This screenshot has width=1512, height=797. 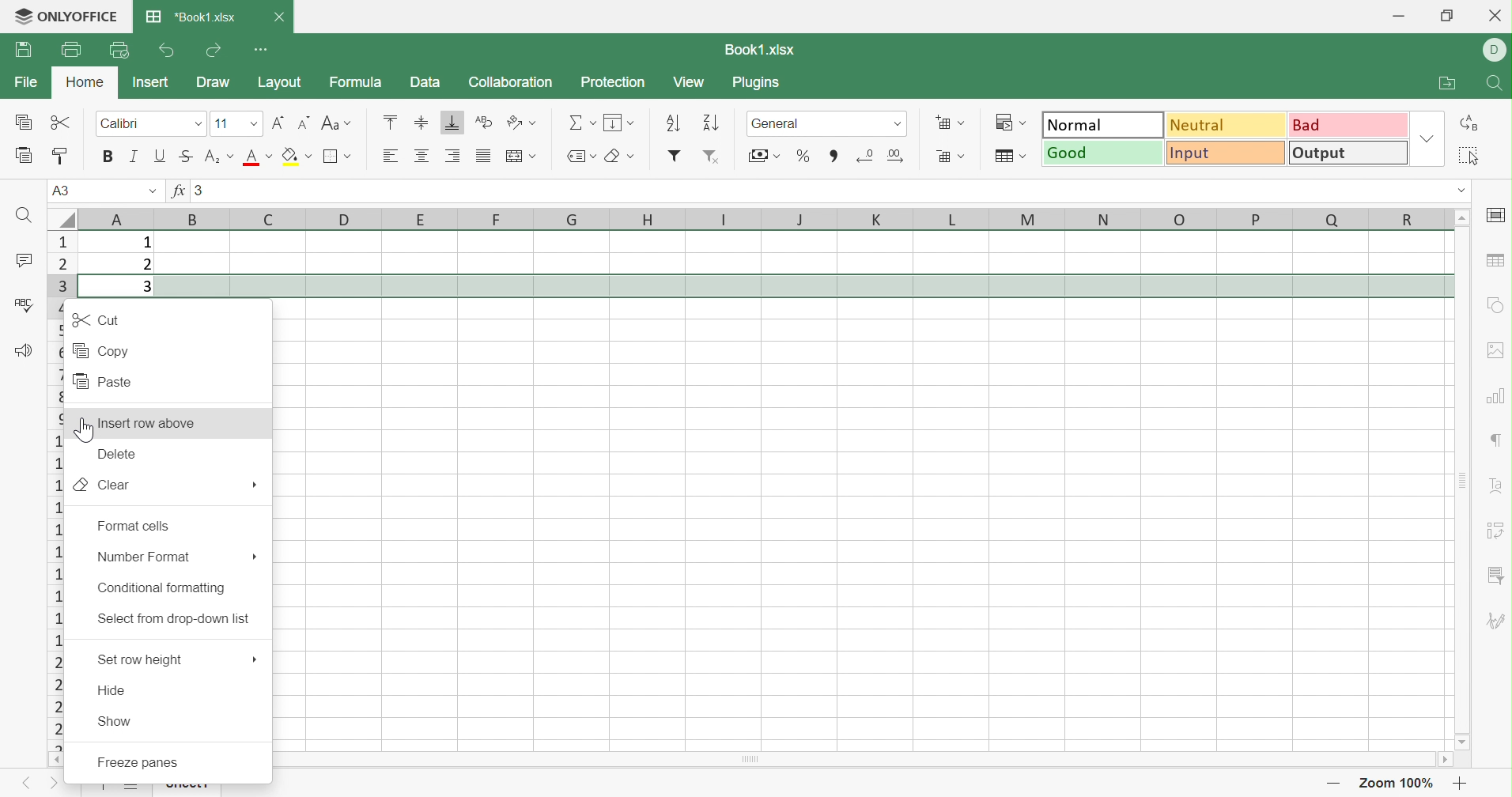 I want to click on Select all, so click(x=1466, y=157).